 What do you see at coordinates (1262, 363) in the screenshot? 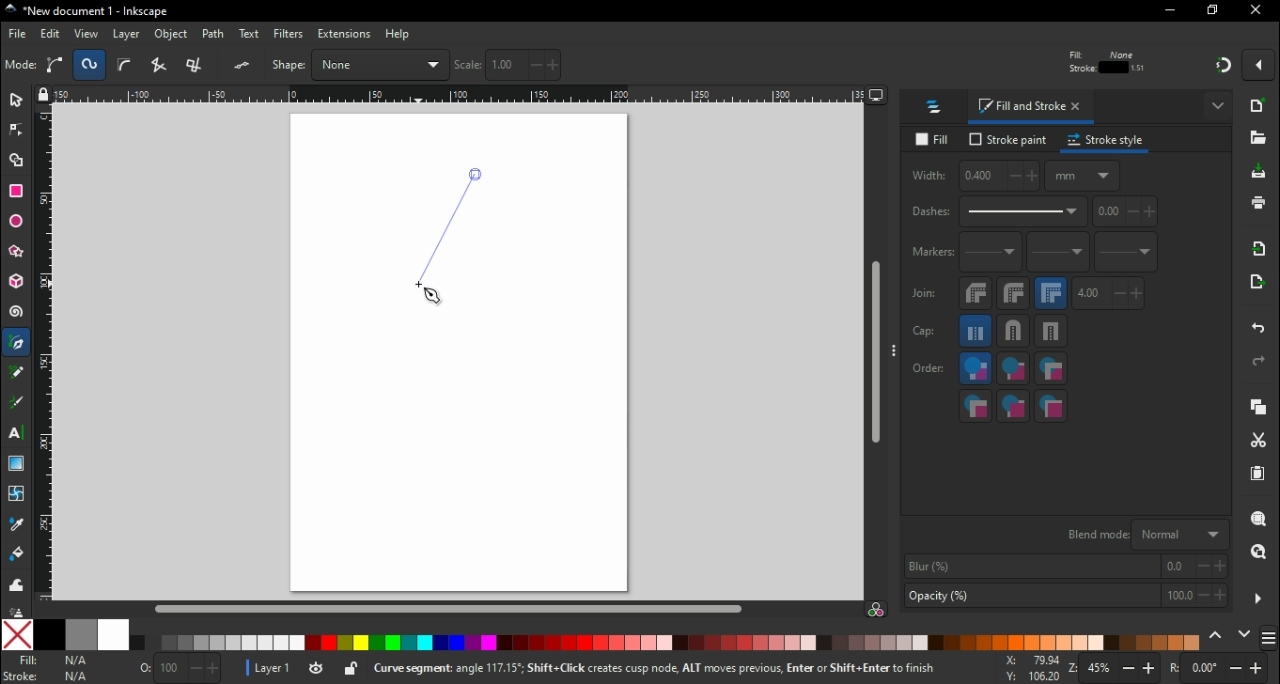
I see `redo` at bounding box center [1262, 363].